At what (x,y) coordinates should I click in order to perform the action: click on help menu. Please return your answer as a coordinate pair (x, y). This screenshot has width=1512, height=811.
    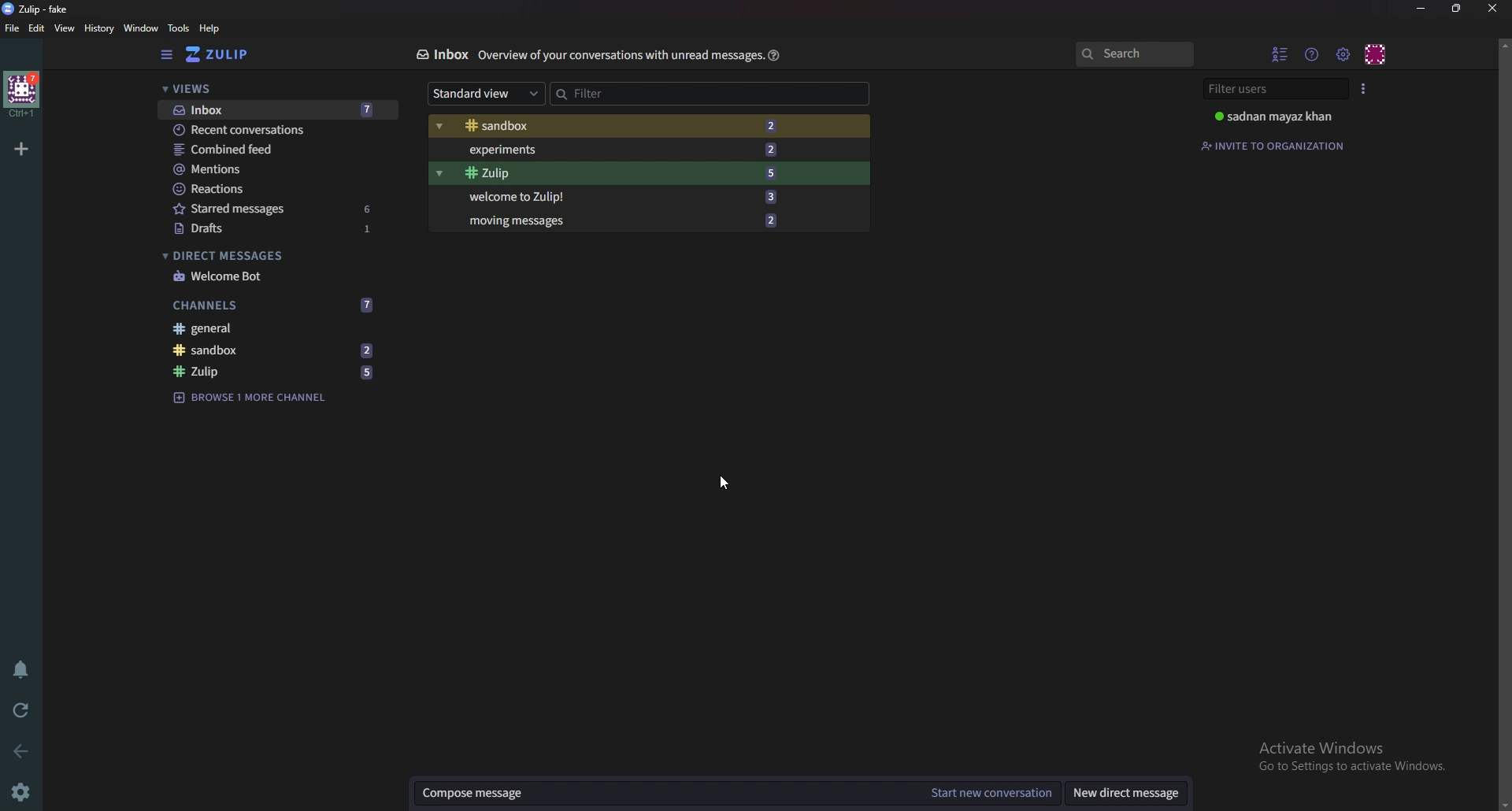
    Looking at the image, I should click on (1313, 55).